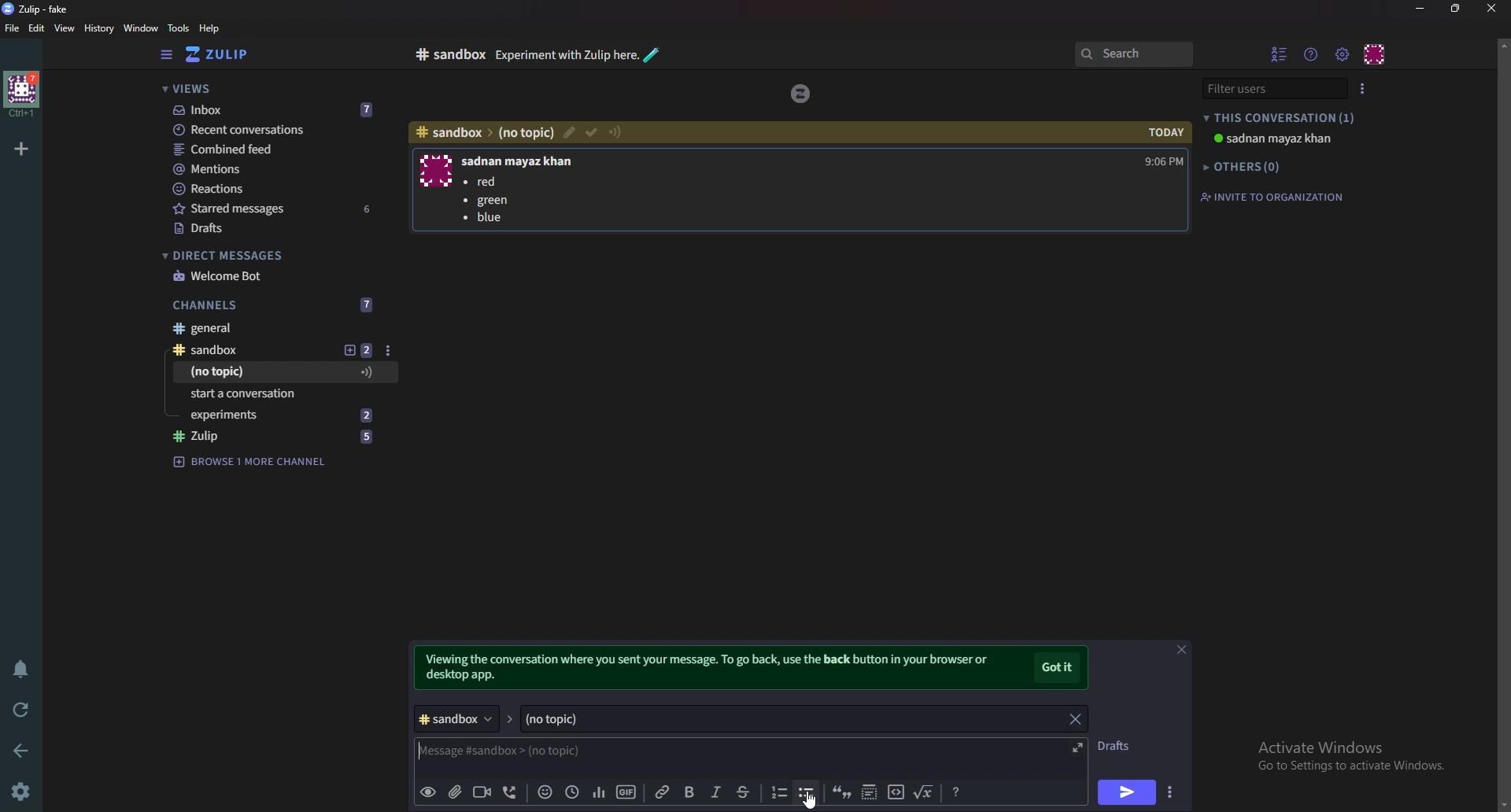 The width and height of the screenshot is (1511, 812). Describe the element at coordinates (288, 393) in the screenshot. I see `Start a conversation` at that location.